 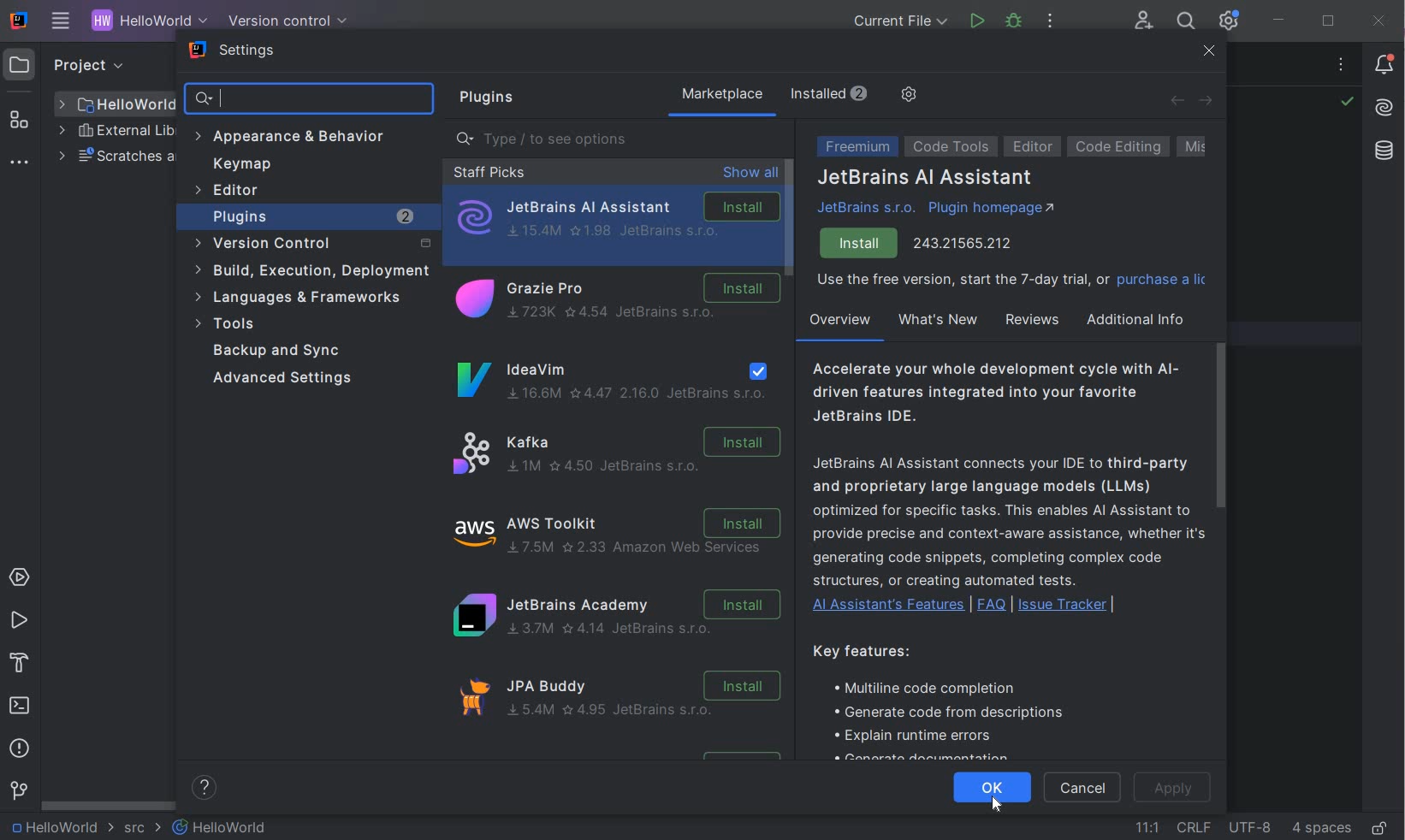 I want to click on SCRATCHES AND CONSOLES, so click(x=115, y=157).